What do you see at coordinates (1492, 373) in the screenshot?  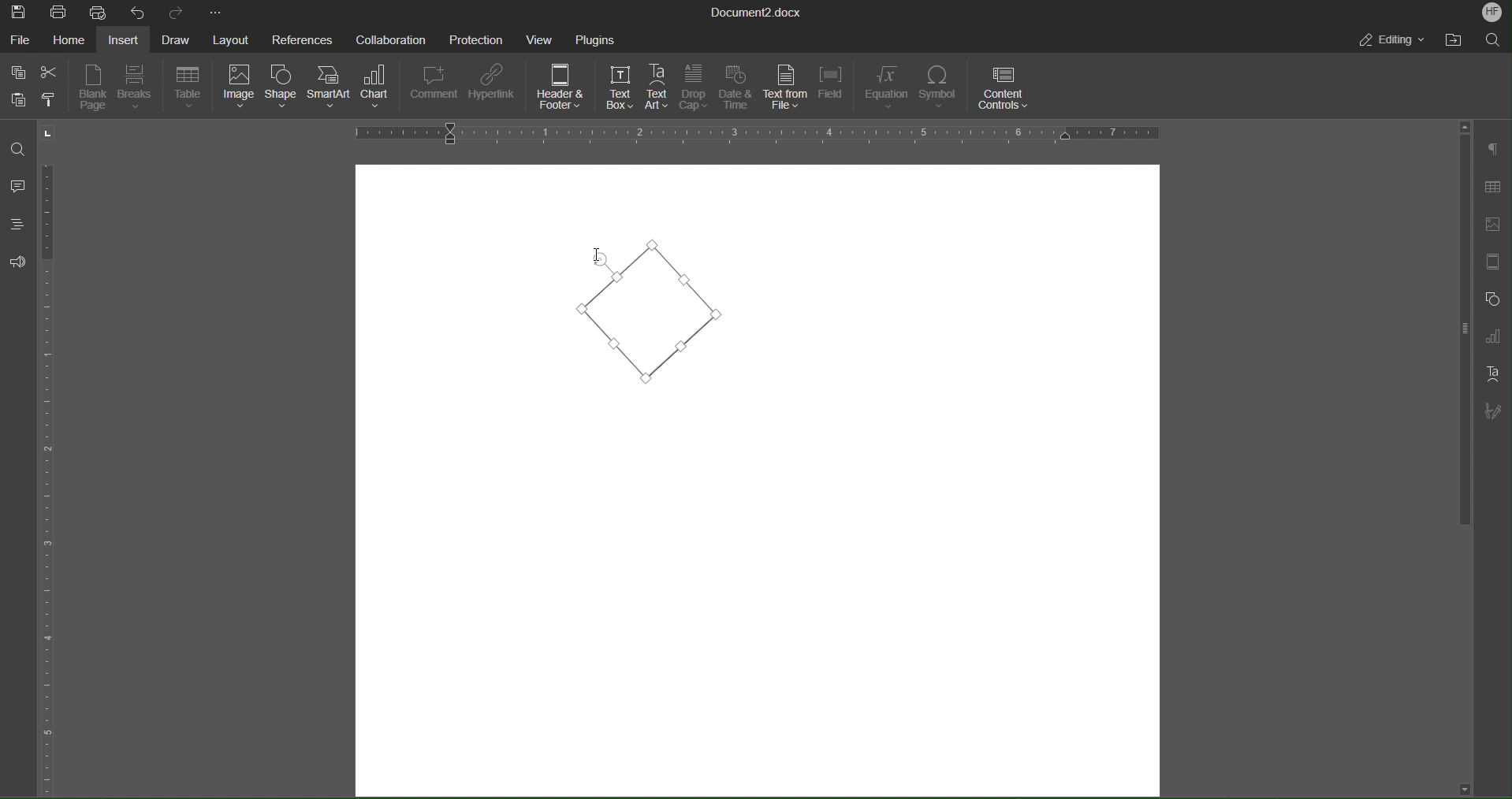 I see `Text Art` at bounding box center [1492, 373].